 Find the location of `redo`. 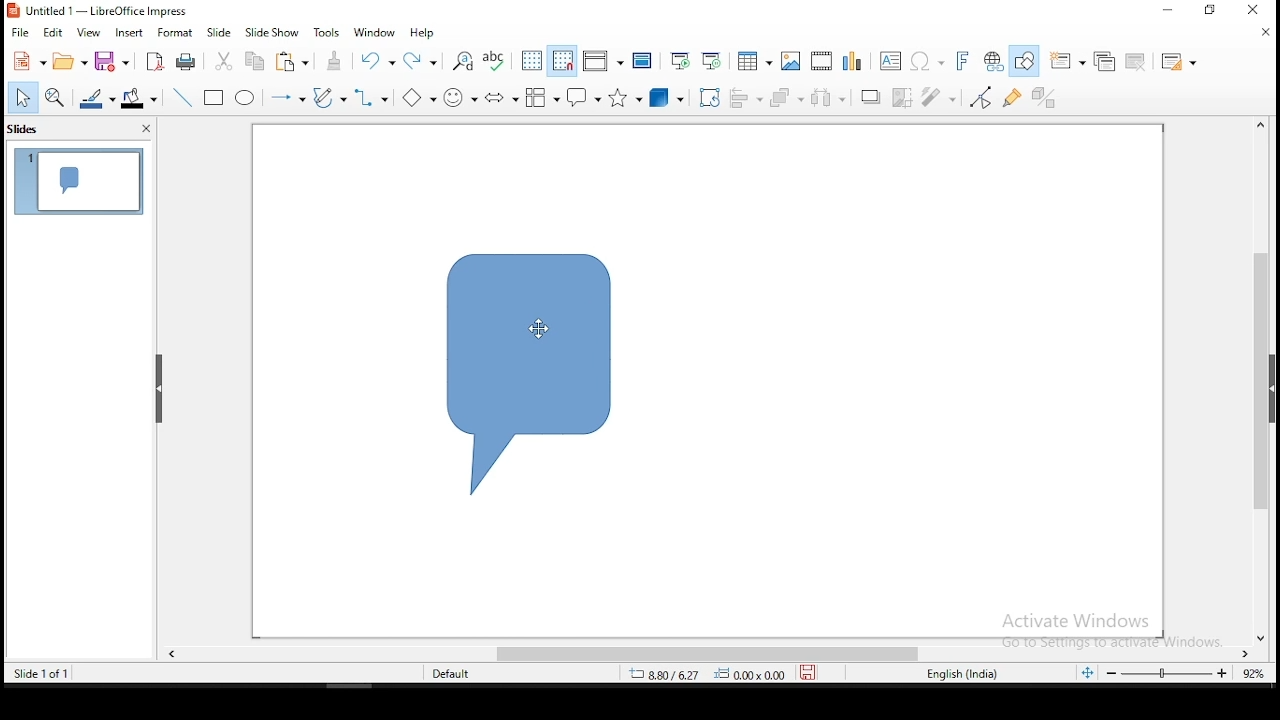

redo is located at coordinates (425, 61).